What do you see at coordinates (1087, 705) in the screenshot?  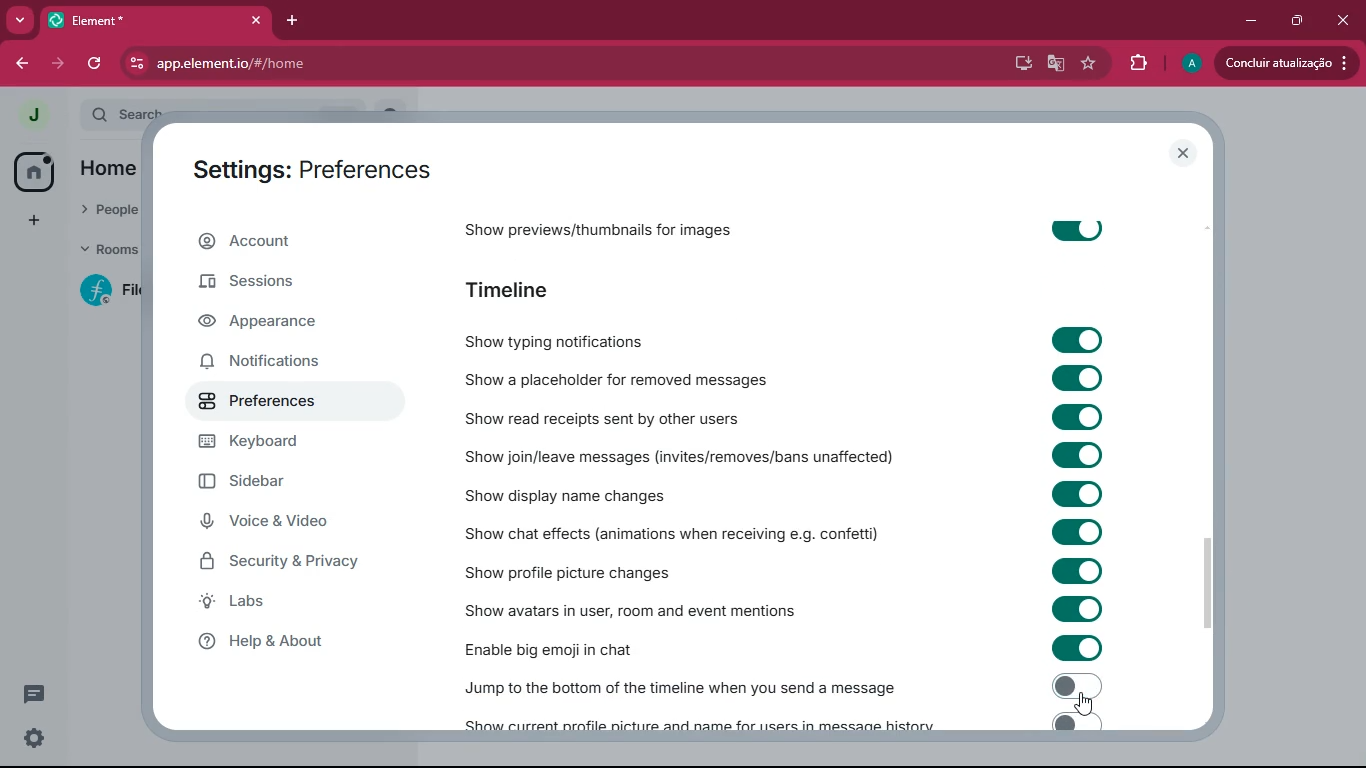 I see `cursor on toggle on ` at bounding box center [1087, 705].